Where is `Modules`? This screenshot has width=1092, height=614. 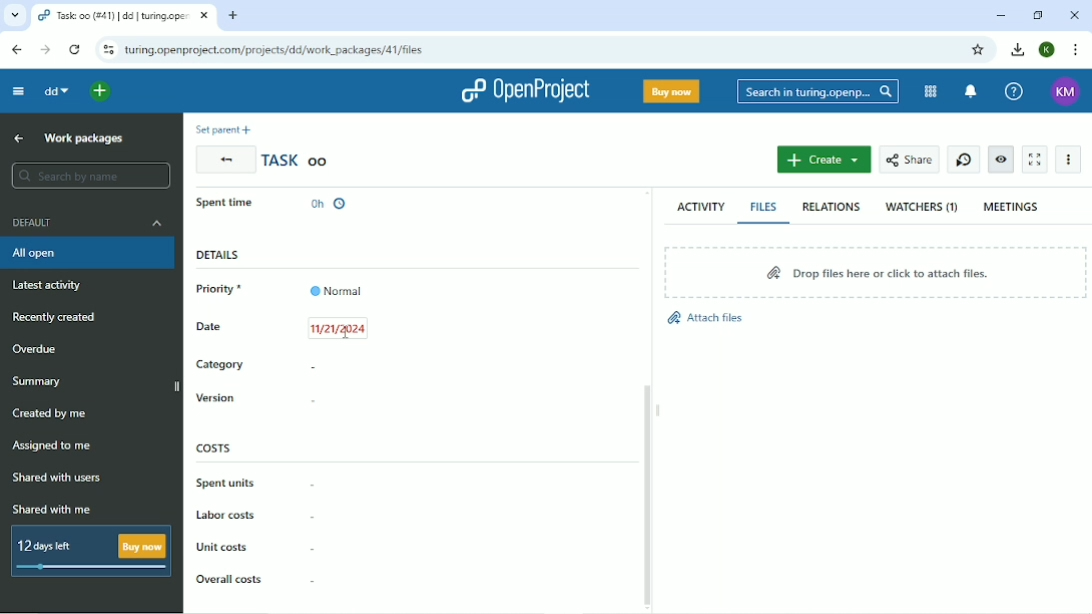 Modules is located at coordinates (930, 91).